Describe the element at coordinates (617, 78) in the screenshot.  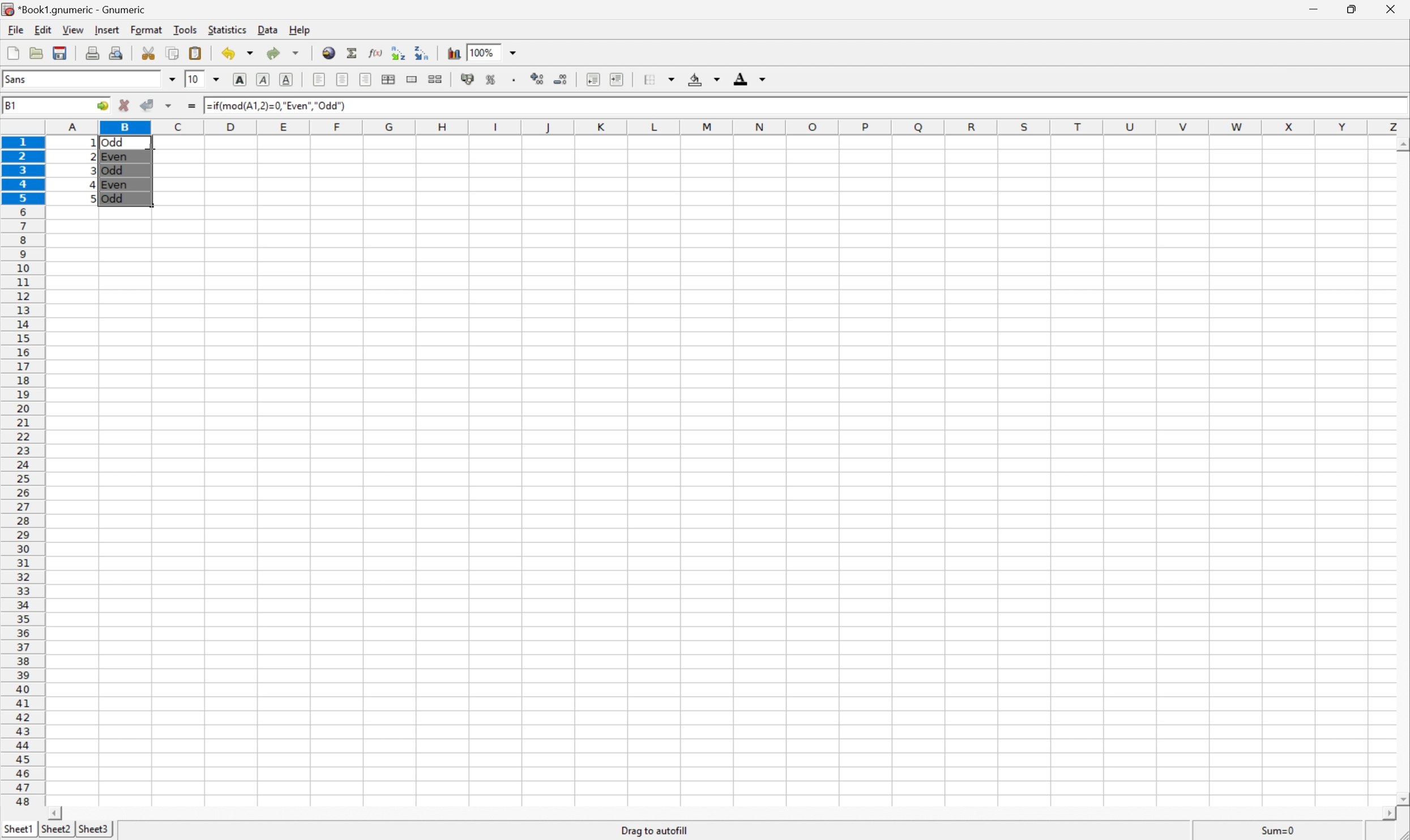
I see `Increase indent, and align the contents to the left` at that location.